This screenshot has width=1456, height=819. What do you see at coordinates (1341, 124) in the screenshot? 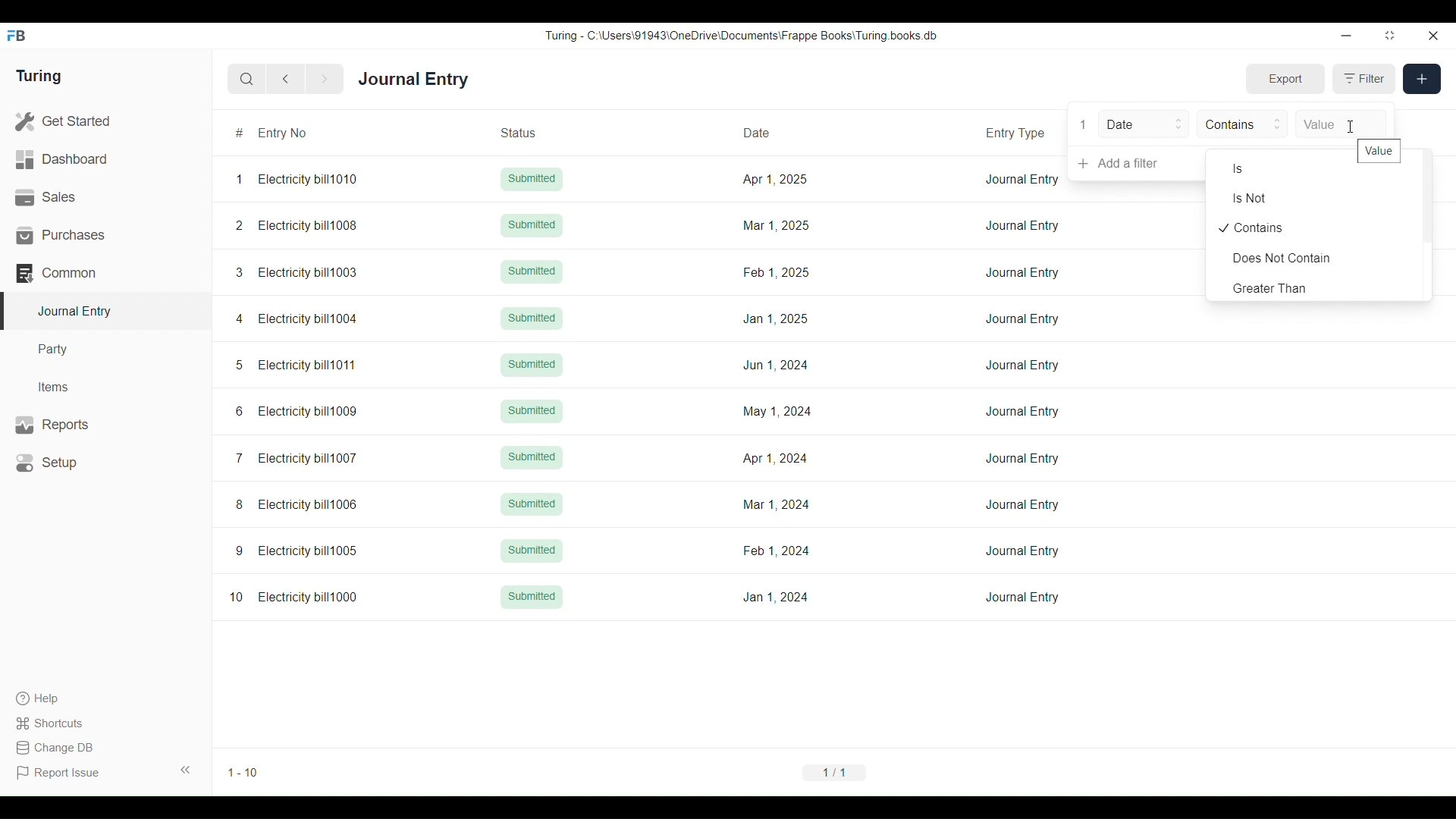
I see `Value` at bounding box center [1341, 124].